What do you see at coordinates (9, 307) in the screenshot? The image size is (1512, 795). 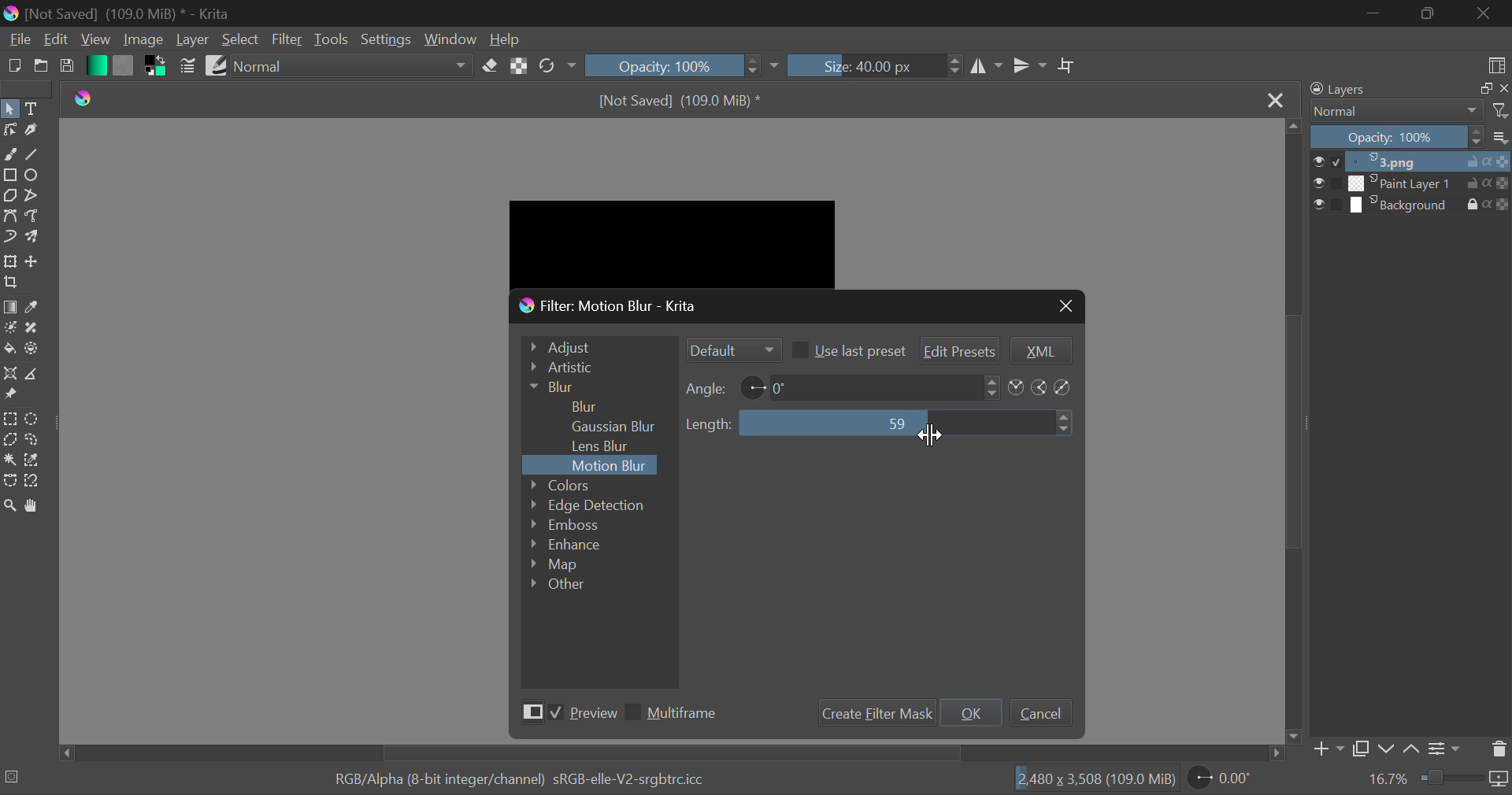 I see `Gradient Fill` at bounding box center [9, 307].